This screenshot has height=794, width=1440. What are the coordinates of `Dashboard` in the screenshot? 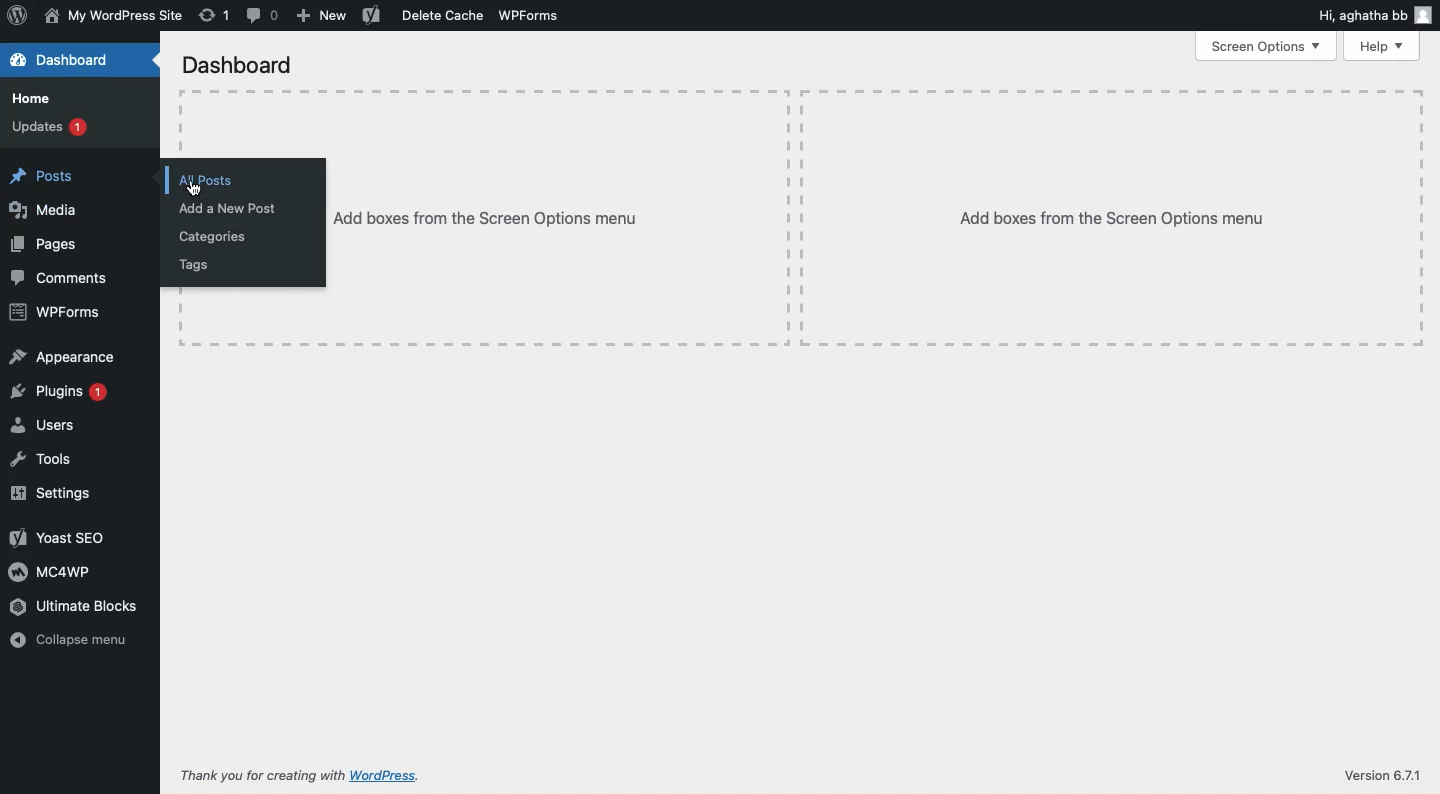 It's located at (235, 65).